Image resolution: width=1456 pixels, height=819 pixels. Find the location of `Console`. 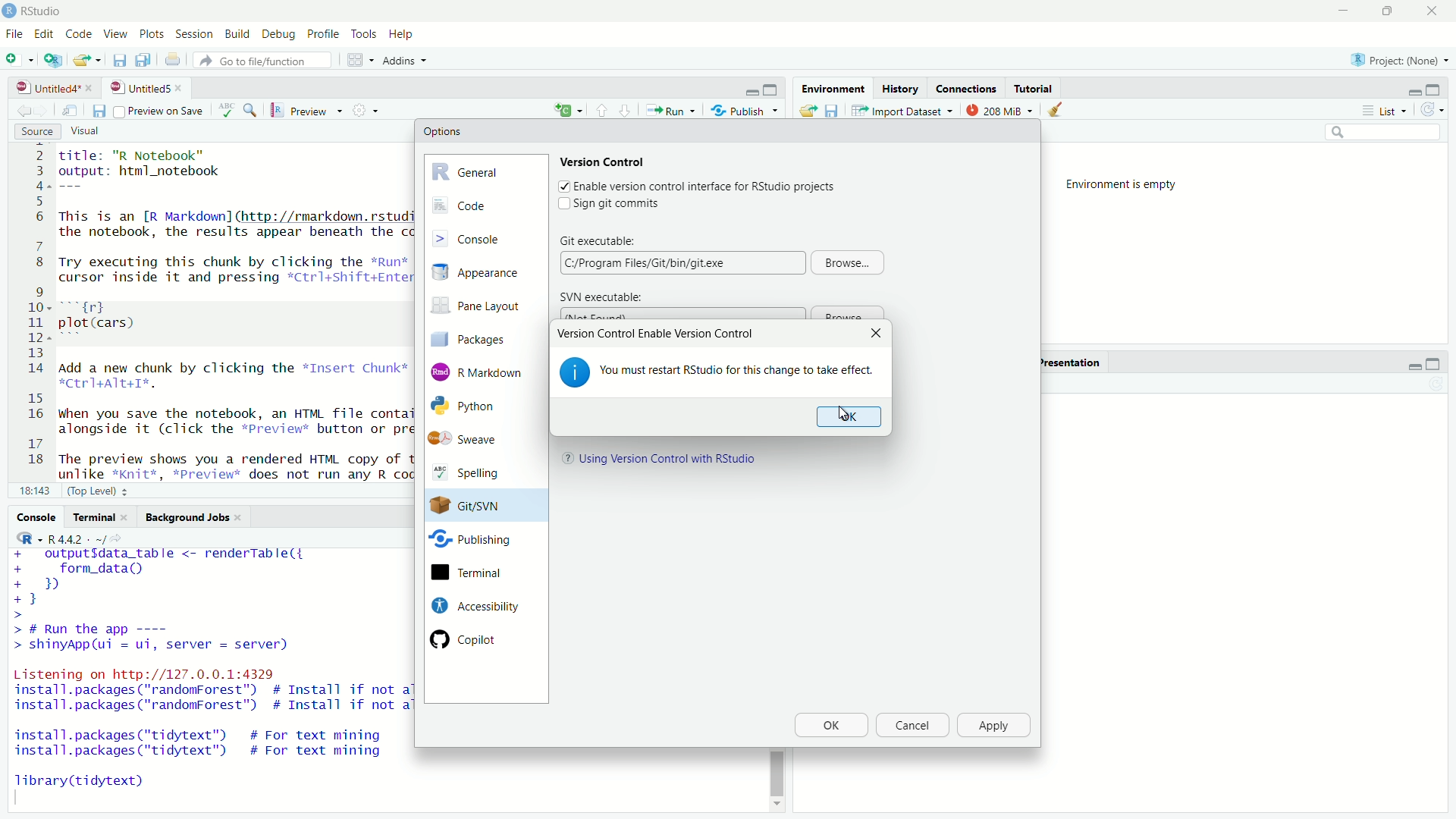

Console is located at coordinates (36, 516).